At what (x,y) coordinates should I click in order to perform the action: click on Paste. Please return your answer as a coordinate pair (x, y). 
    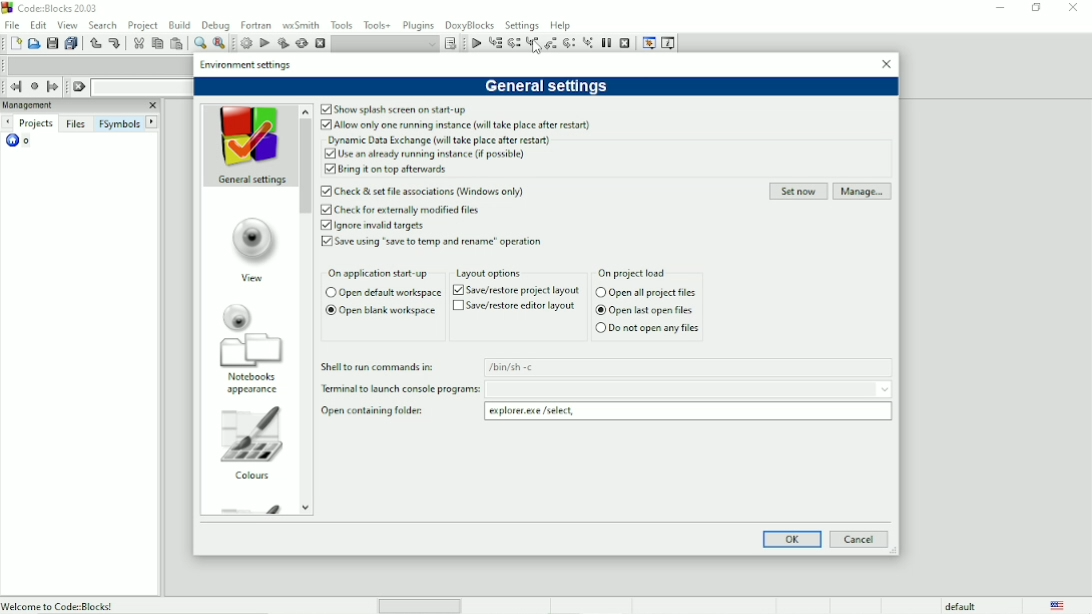
    Looking at the image, I should click on (175, 44).